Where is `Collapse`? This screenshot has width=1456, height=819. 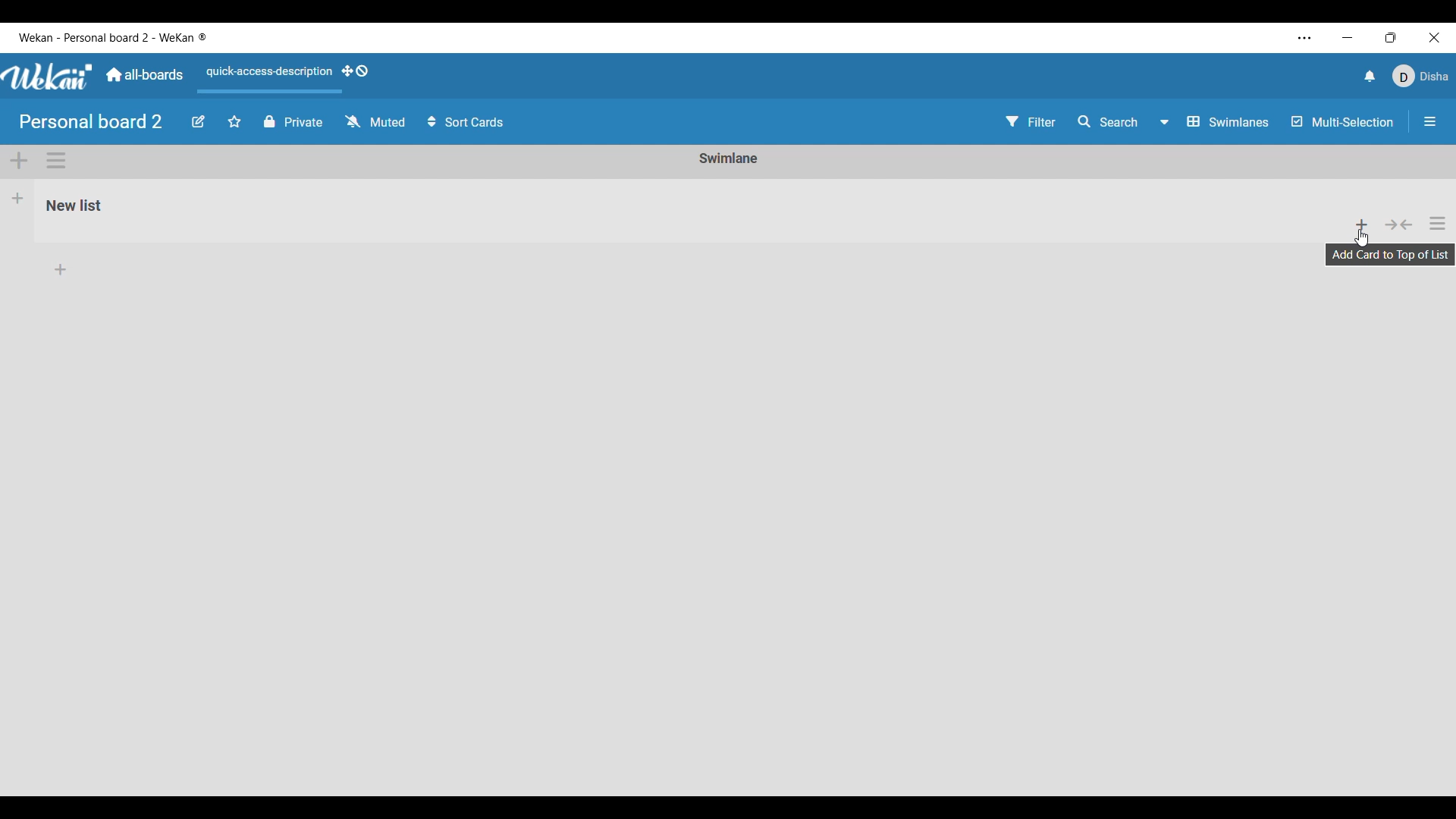 Collapse is located at coordinates (1399, 224).